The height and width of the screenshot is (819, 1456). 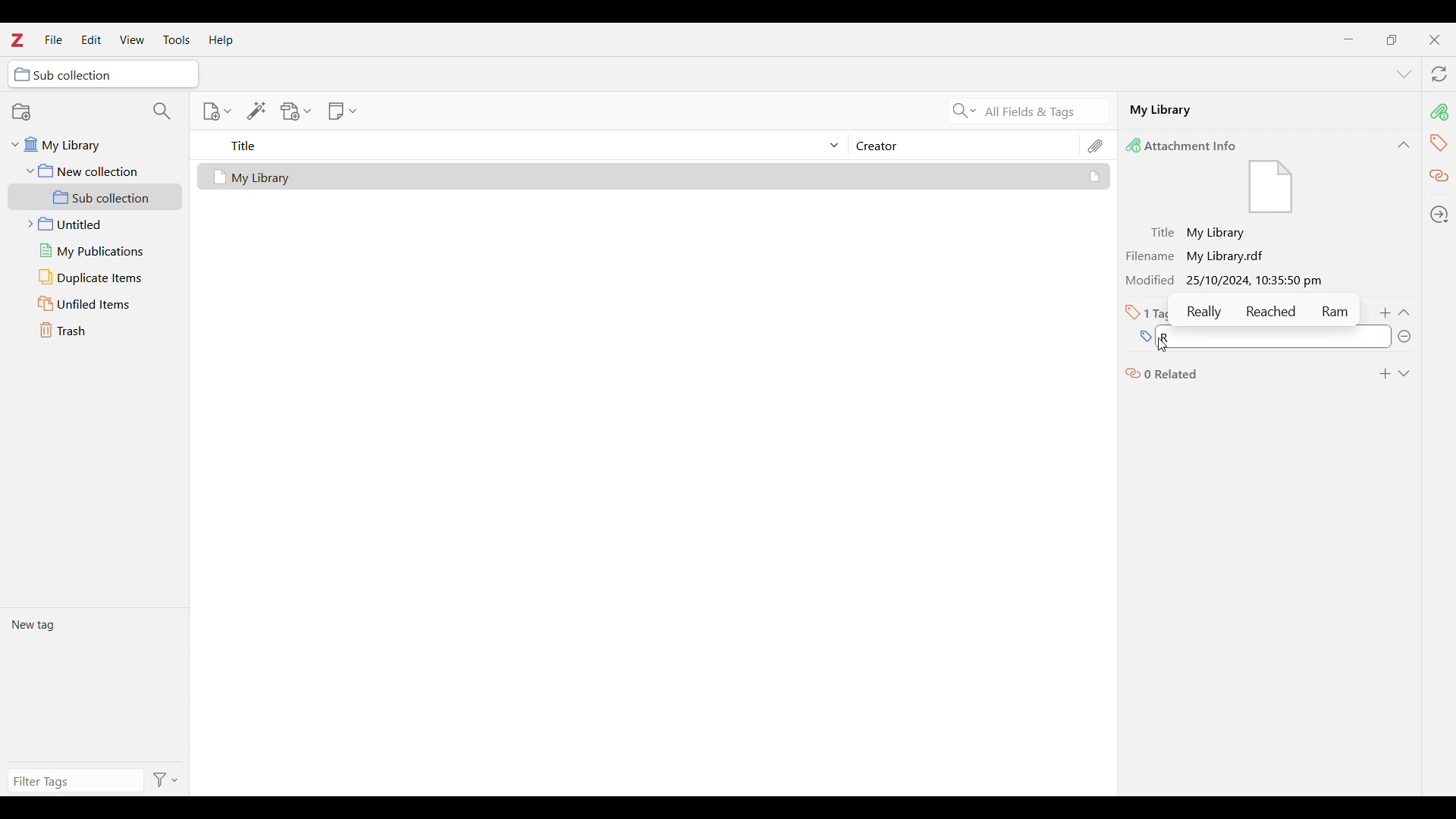 What do you see at coordinates (162, 111) in the screenshot?
I see `Filter collections` at bounding box center [162, 111].